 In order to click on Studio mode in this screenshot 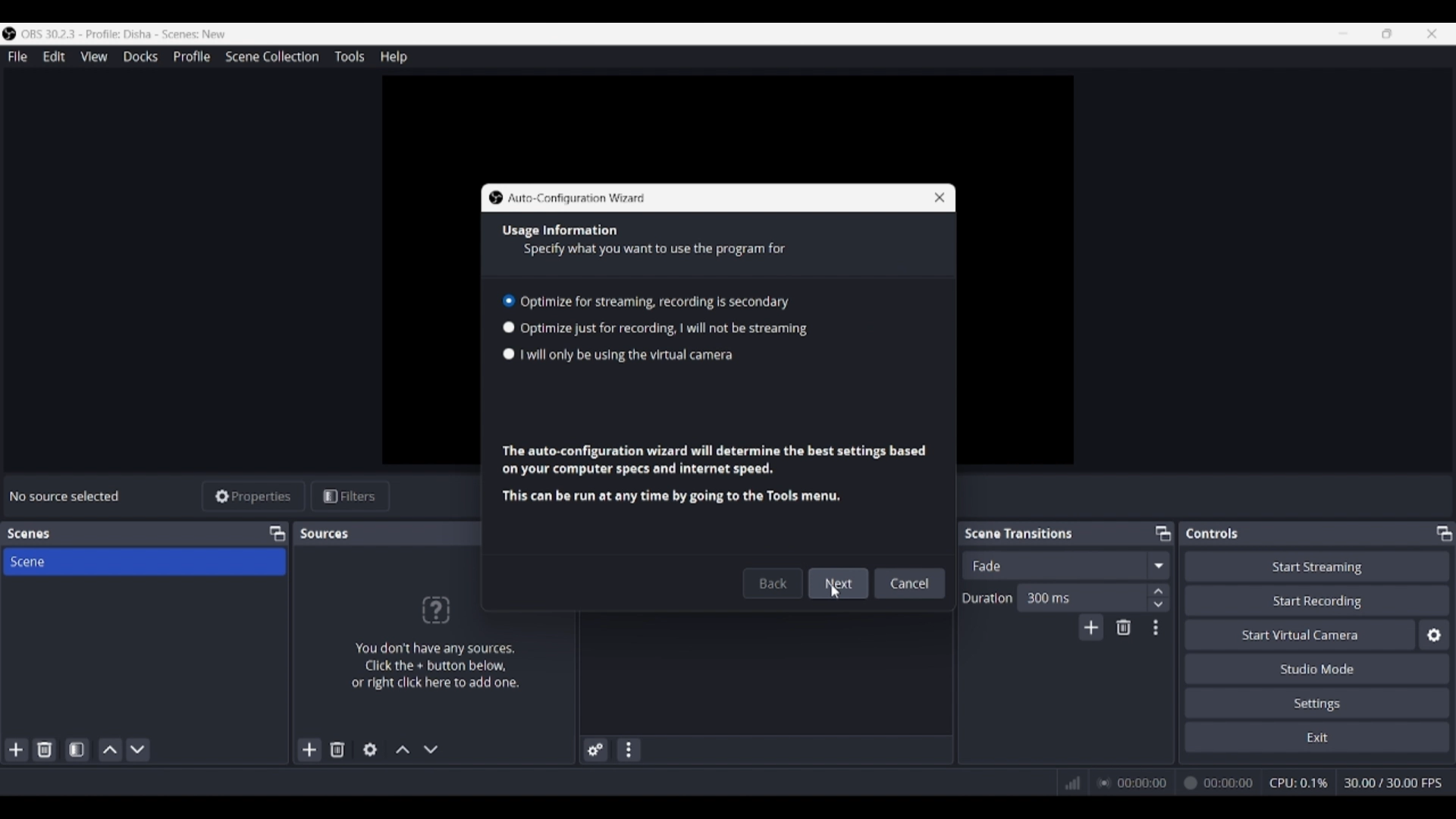, I will do `click(1317, 668)`.